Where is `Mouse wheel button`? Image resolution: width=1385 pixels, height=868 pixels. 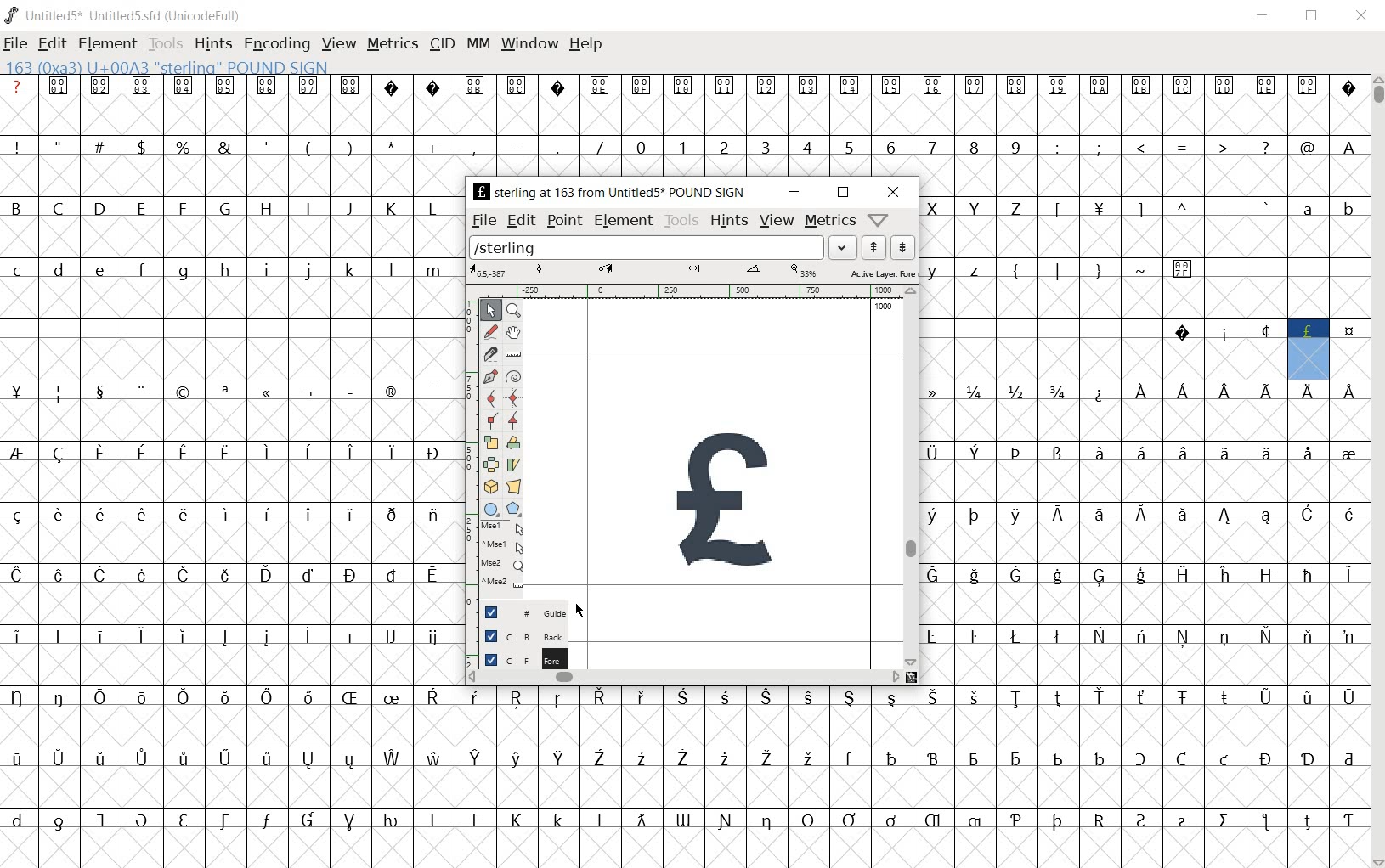
Mouse wheel button is located at coordinates (506, 565).